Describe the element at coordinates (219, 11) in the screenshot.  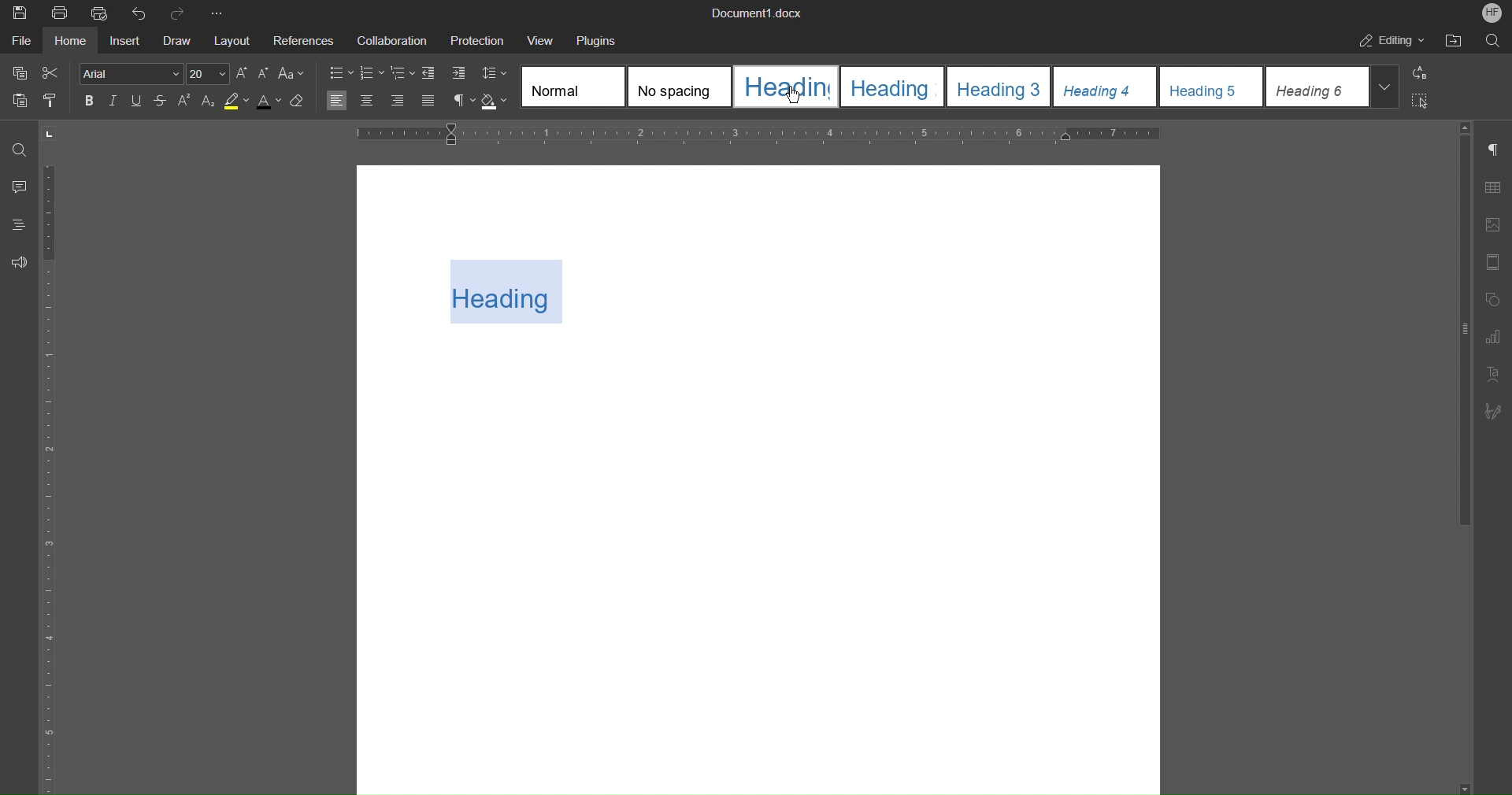
I see `More` at that location.